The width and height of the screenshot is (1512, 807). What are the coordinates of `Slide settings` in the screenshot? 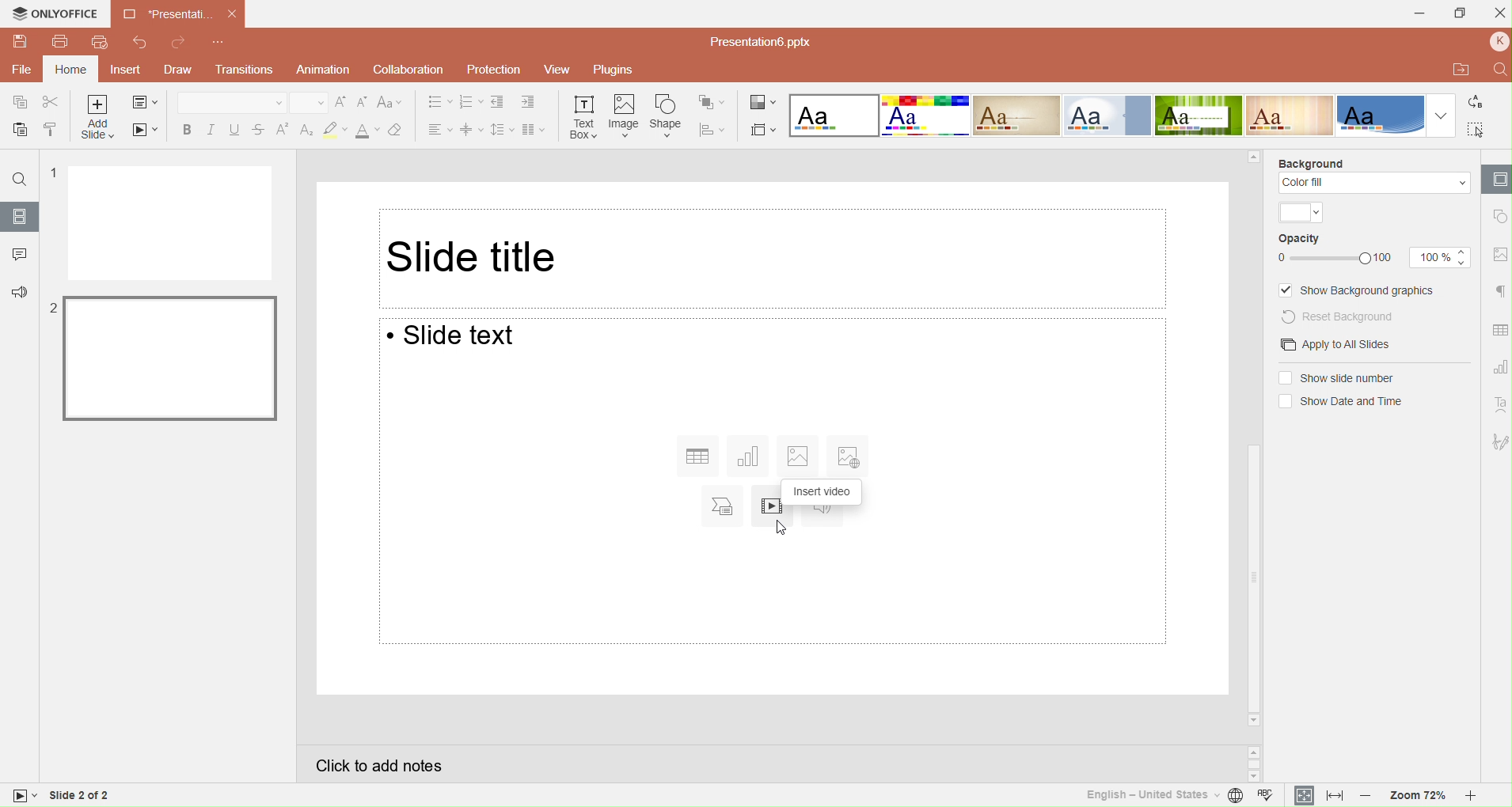 It's located at (1497, 180).